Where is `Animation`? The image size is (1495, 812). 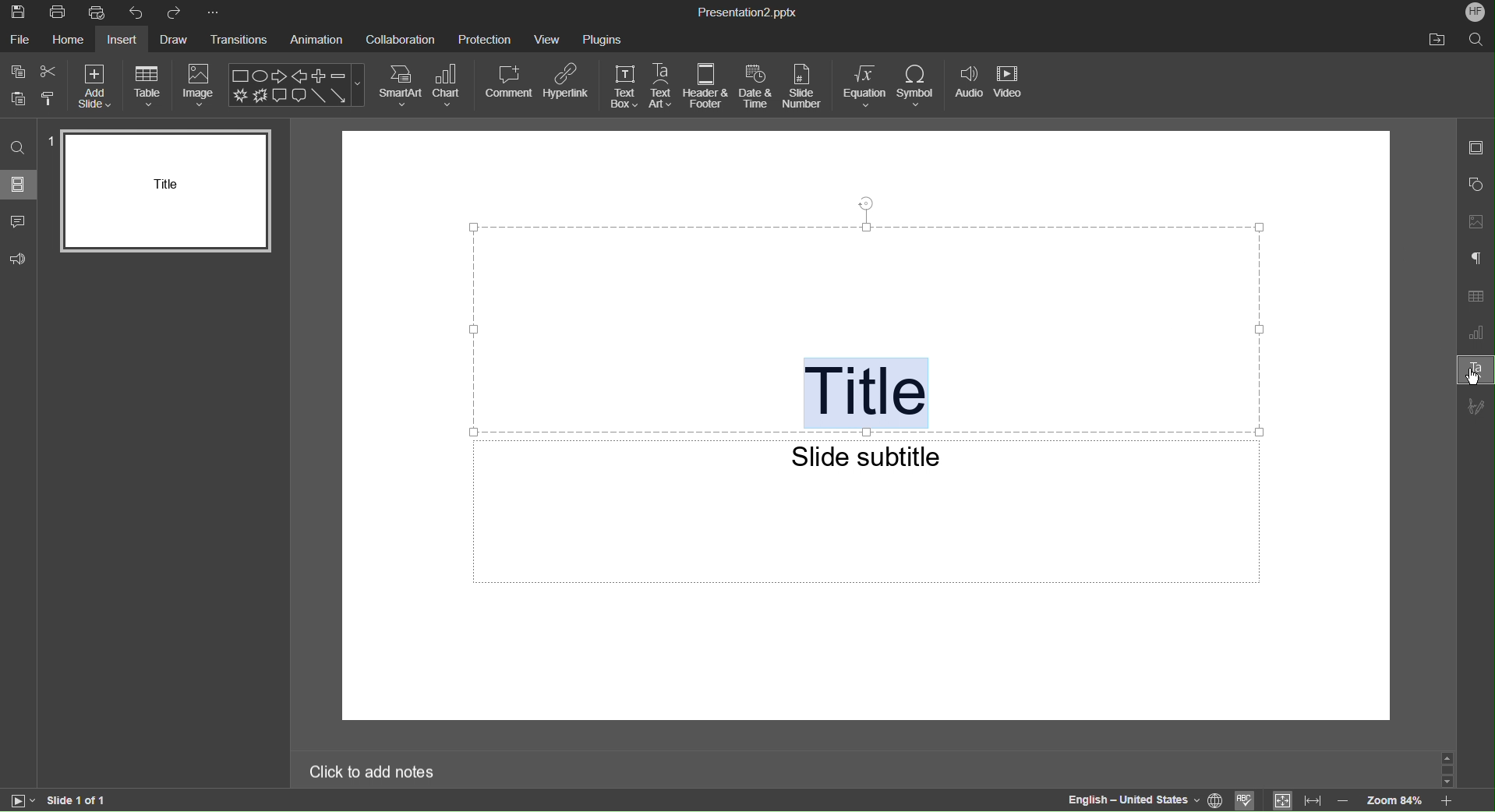 Animation is located at coordinates (314, 40).